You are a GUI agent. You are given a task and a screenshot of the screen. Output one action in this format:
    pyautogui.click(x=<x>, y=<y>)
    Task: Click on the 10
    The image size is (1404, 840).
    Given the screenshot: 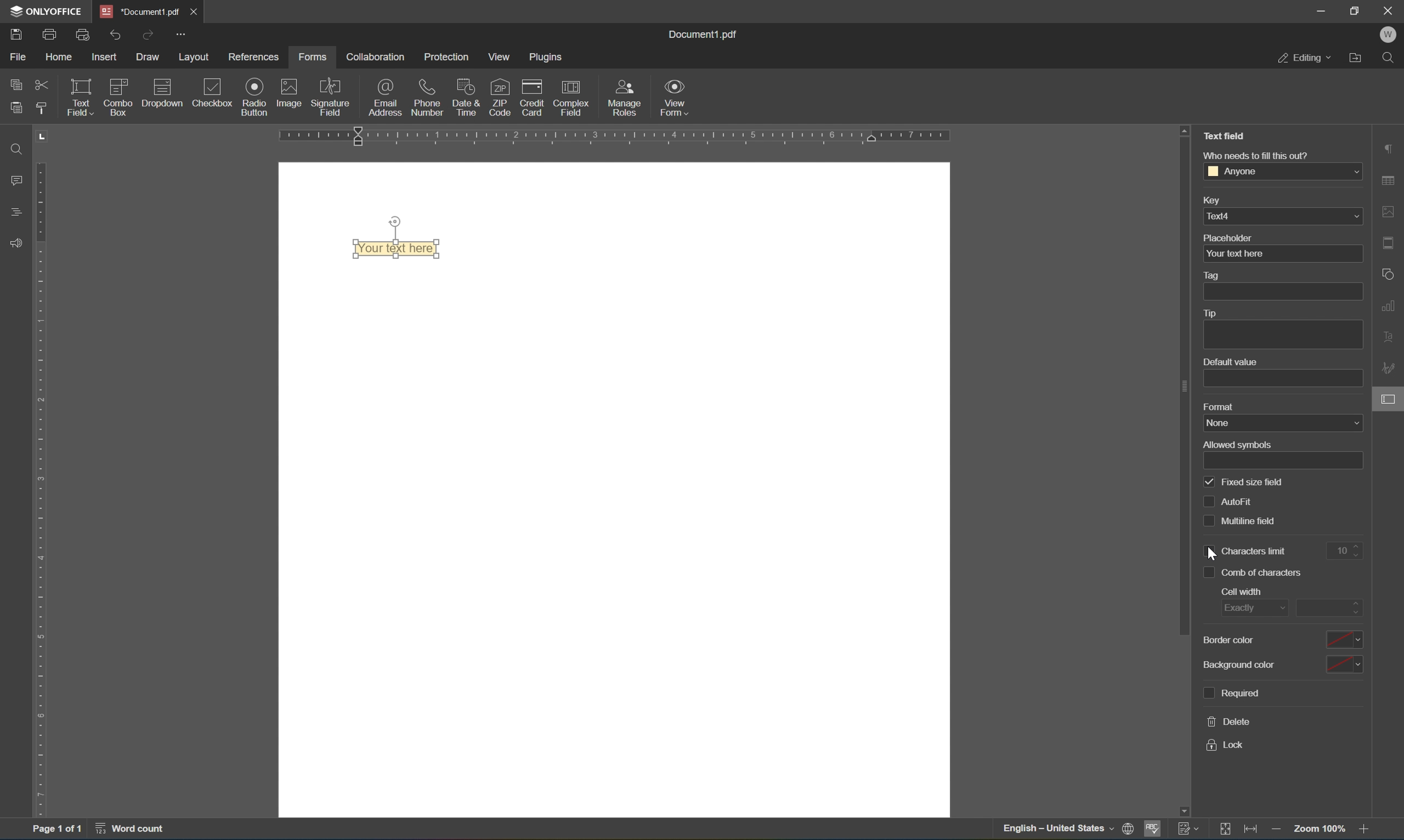 What is the action you would take?
    pyautogui.click(x=1351, y=550)
    